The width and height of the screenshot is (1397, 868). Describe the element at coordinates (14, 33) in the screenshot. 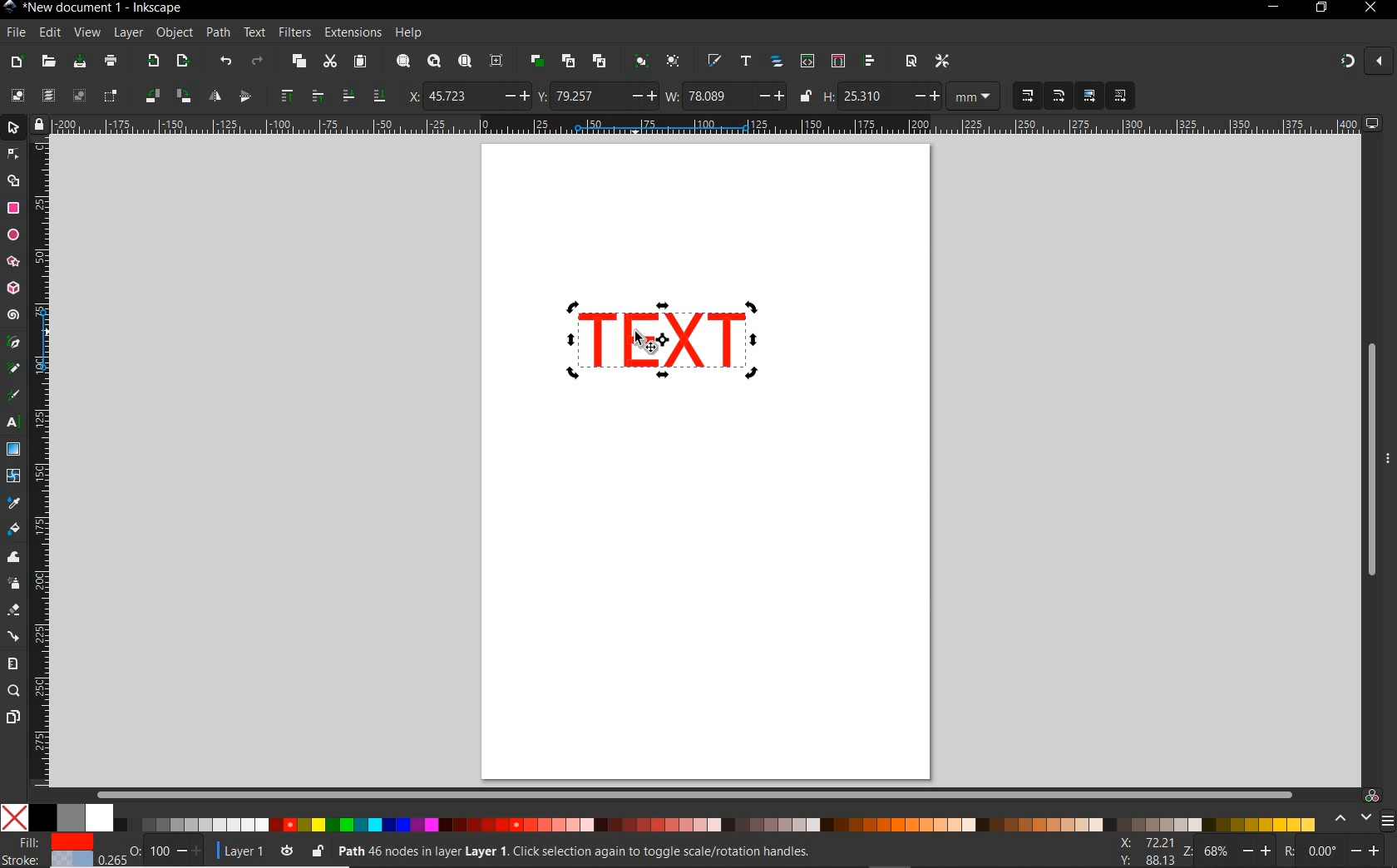

I see `FILE` at that location.